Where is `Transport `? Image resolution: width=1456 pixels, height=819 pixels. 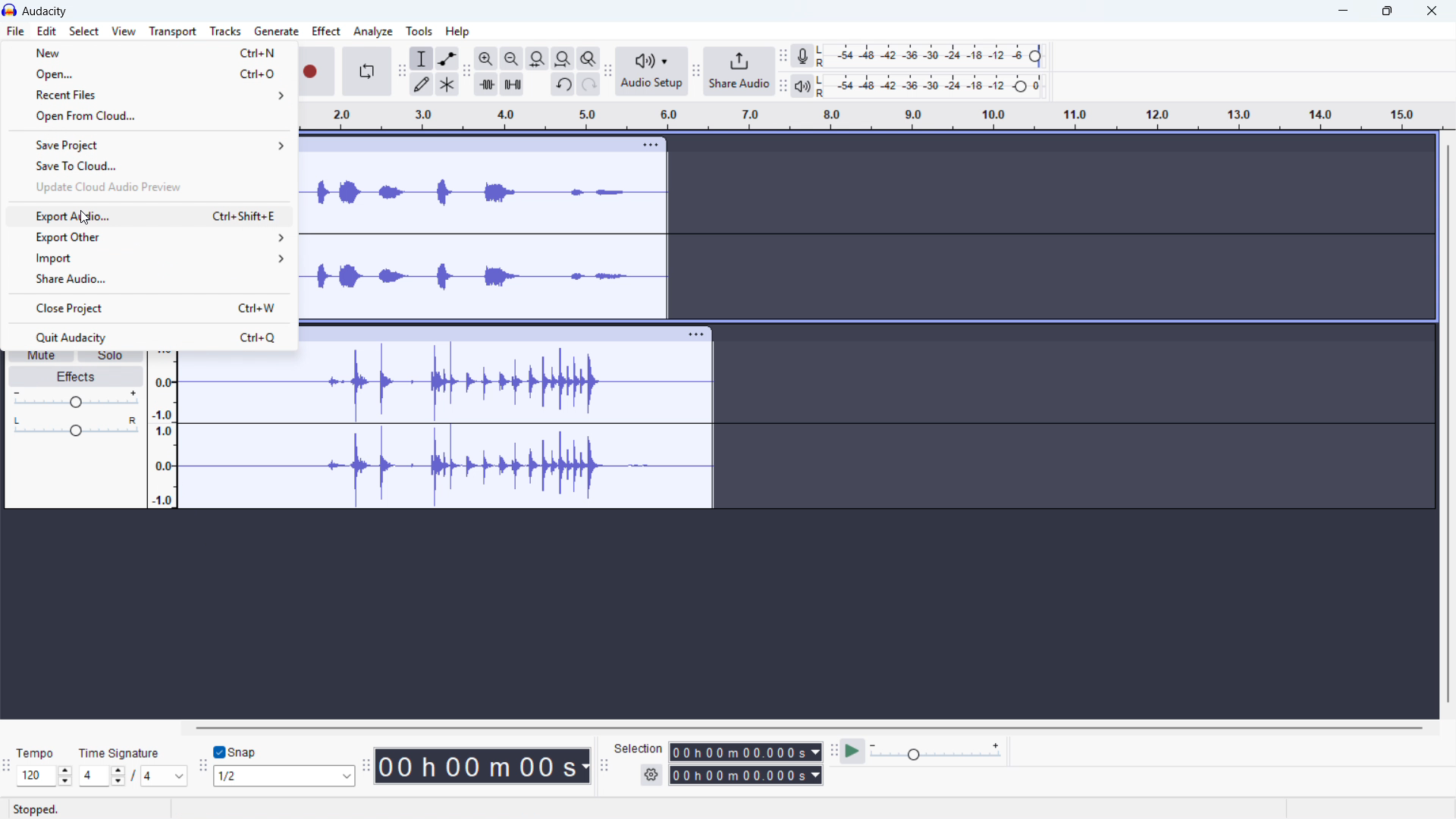 Transport  is located at coordinates (174, 31).